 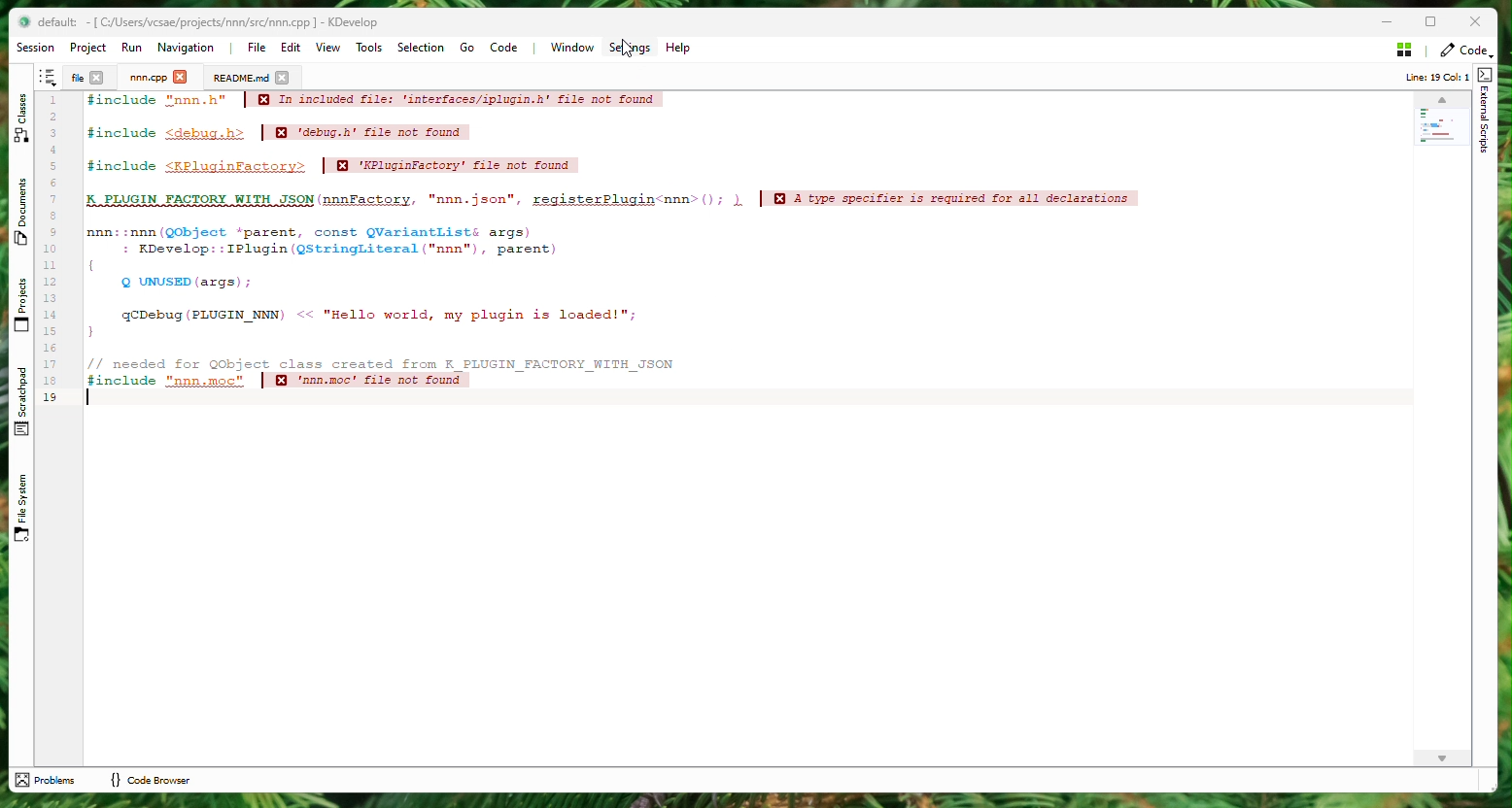 What do you see at coordinates (1474, 24) in the screenshot?
I see `Close` at bounding box center [1474, 24].